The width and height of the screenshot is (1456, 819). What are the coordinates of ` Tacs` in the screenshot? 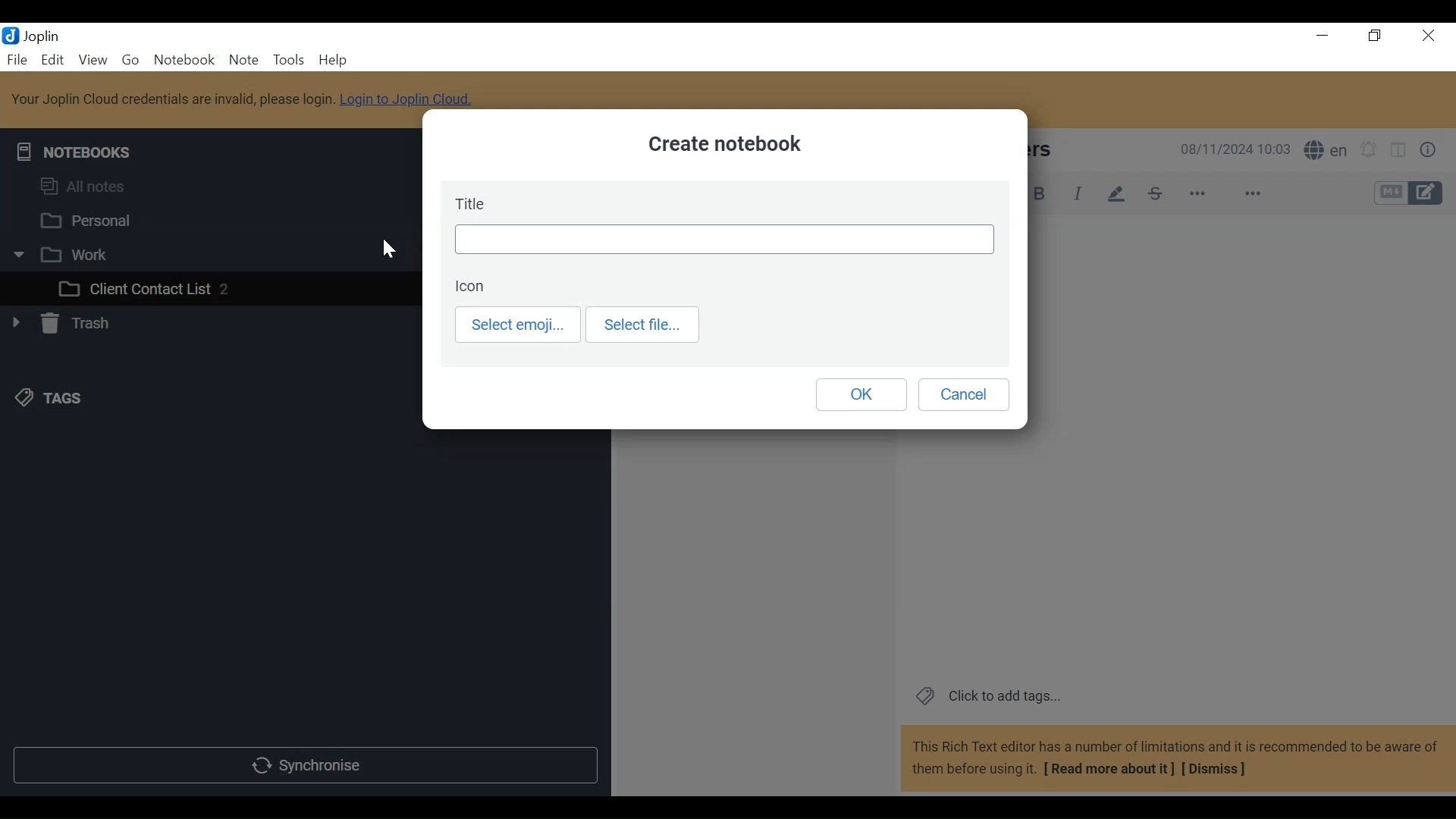 It's located at (52, 399).